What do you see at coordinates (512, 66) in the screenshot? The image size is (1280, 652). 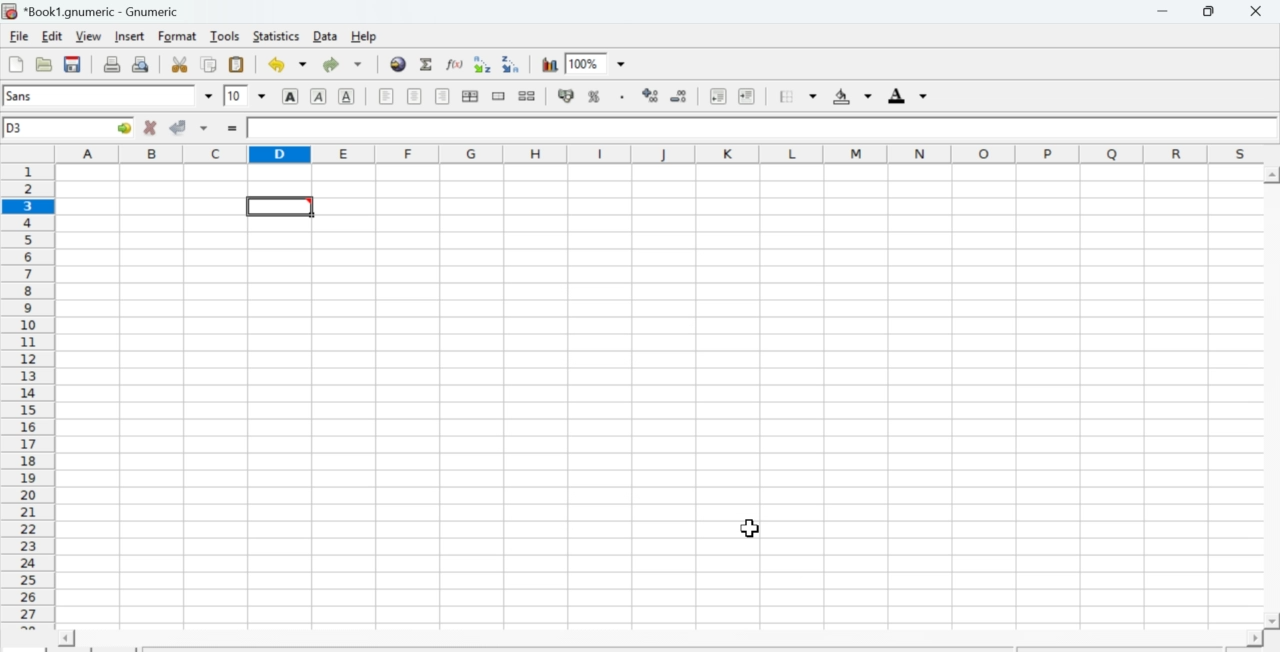 I see `Sort descending` at bounding box center [512, 66].